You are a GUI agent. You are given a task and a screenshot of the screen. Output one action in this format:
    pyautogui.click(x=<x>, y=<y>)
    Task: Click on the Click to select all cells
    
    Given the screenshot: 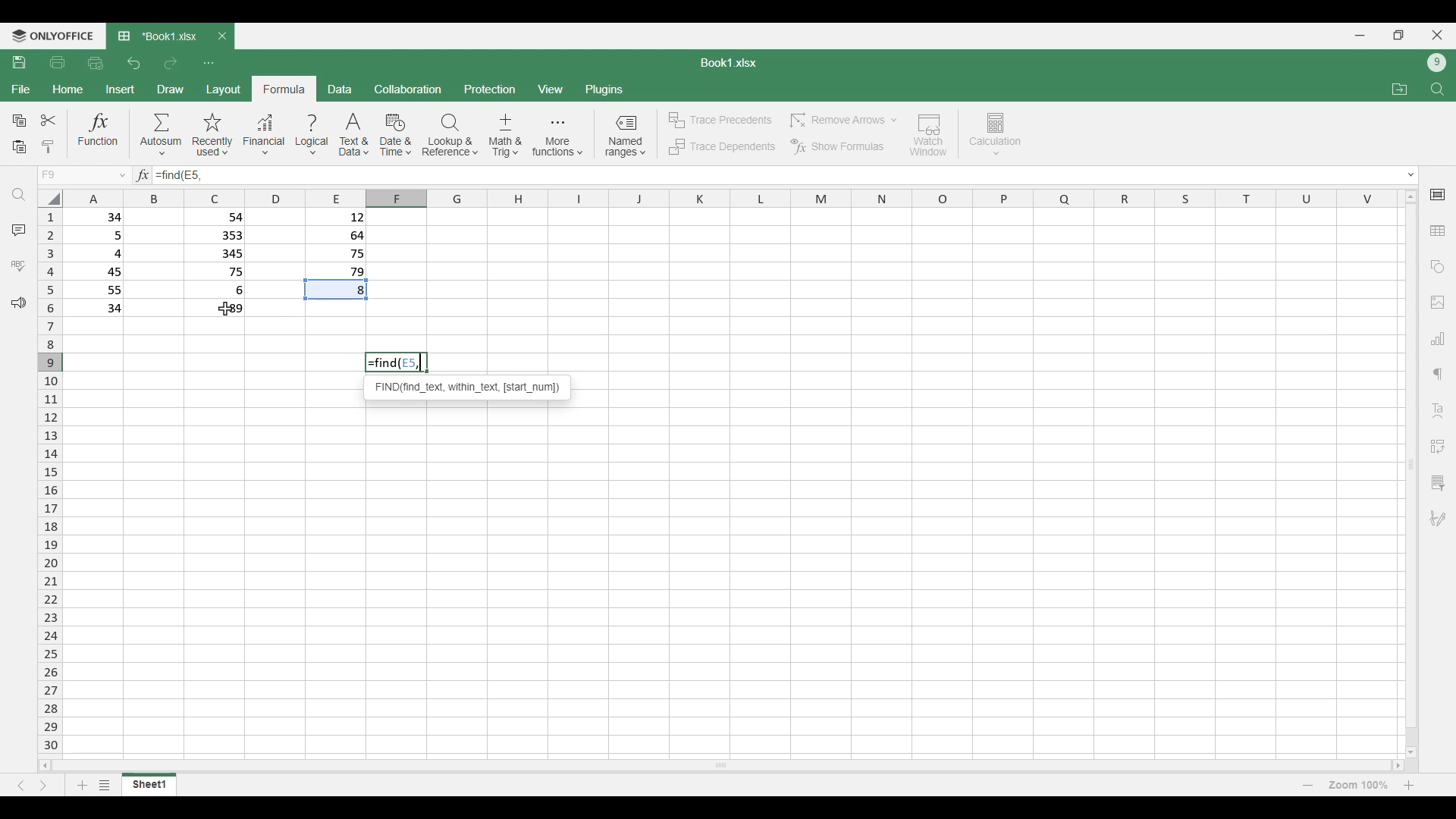 What is the action you would take?
    pyautogui.click(x=49, y=198)
    